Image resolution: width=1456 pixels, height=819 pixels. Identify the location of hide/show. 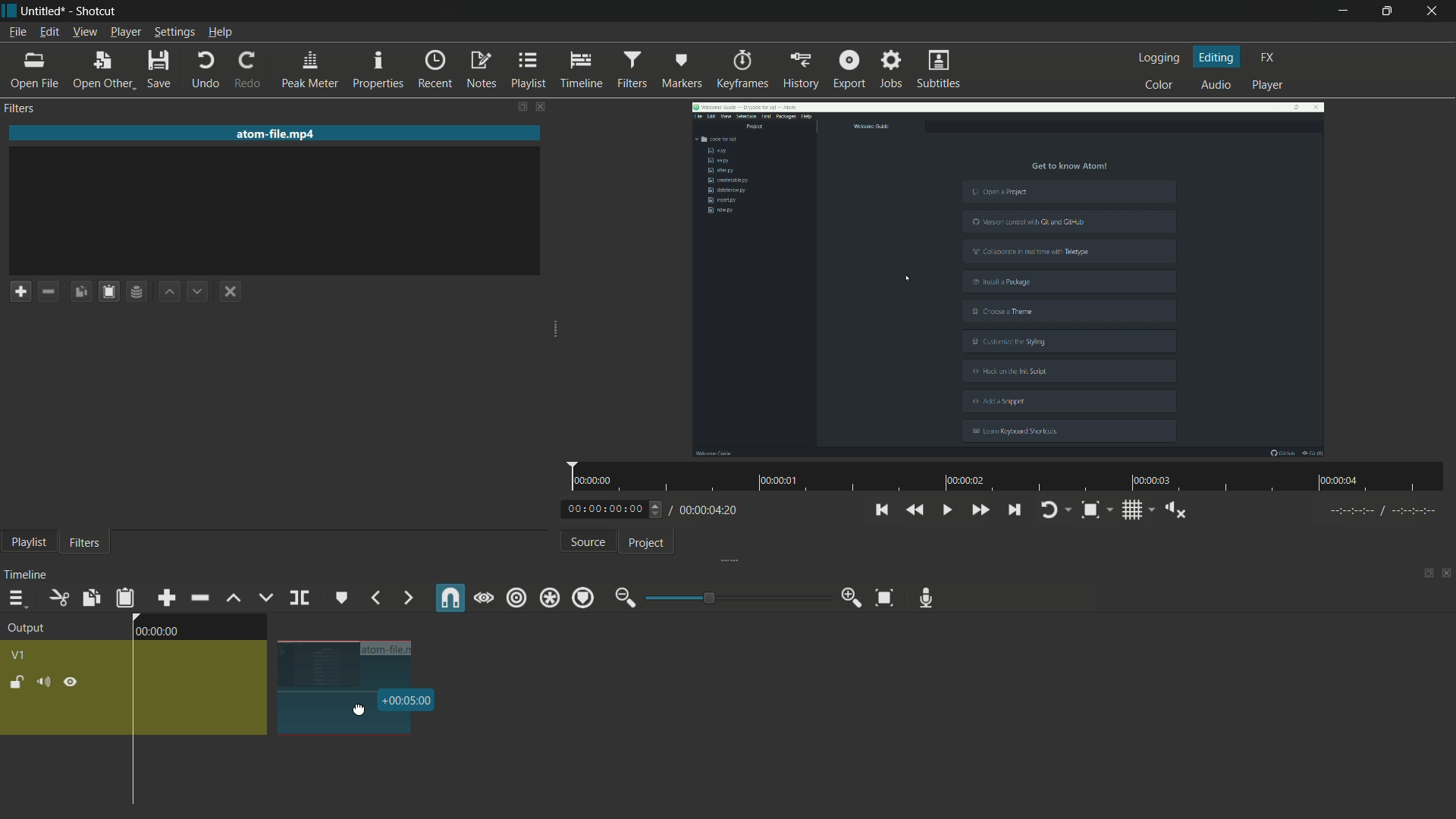
(71, 683).